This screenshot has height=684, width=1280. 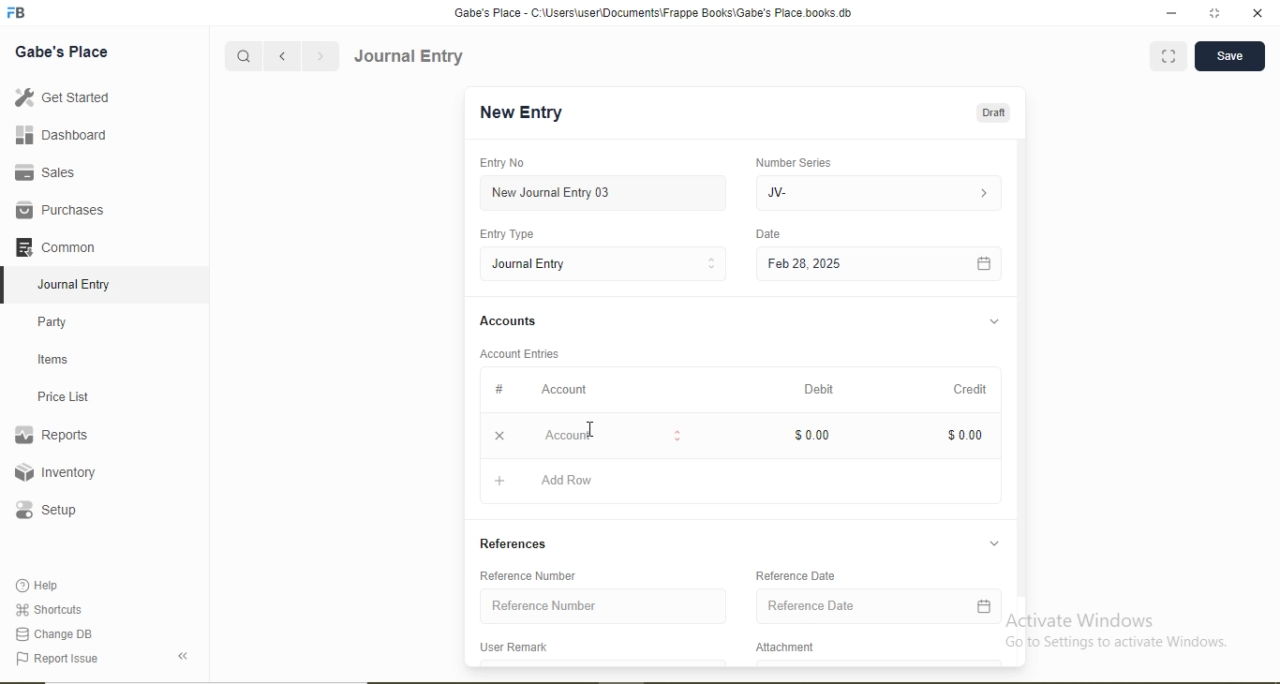 I want to click on Help, so click(x=39, y=585).